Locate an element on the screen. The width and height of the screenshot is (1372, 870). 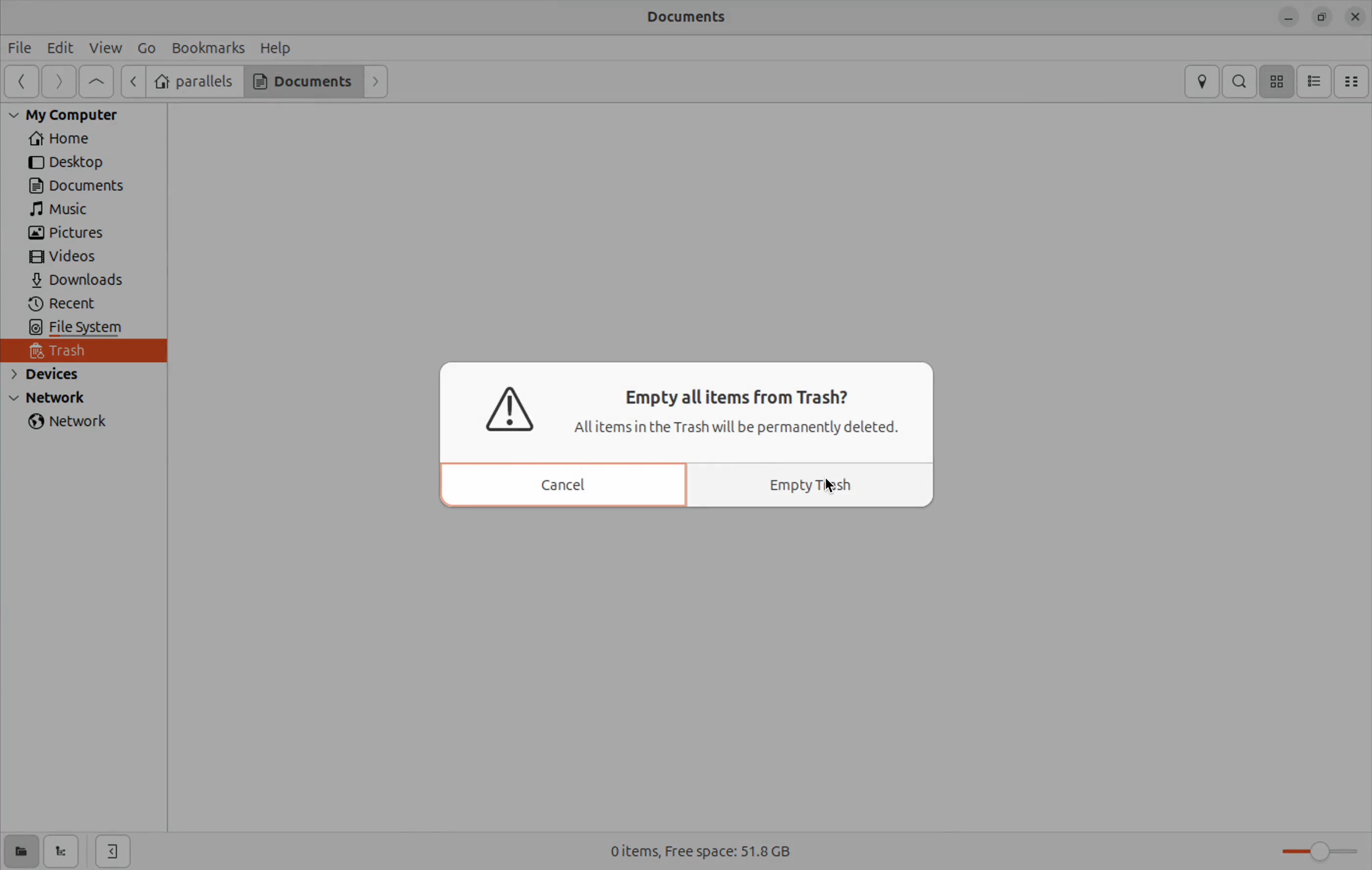
show tree view is located at coordinates (60, 851).